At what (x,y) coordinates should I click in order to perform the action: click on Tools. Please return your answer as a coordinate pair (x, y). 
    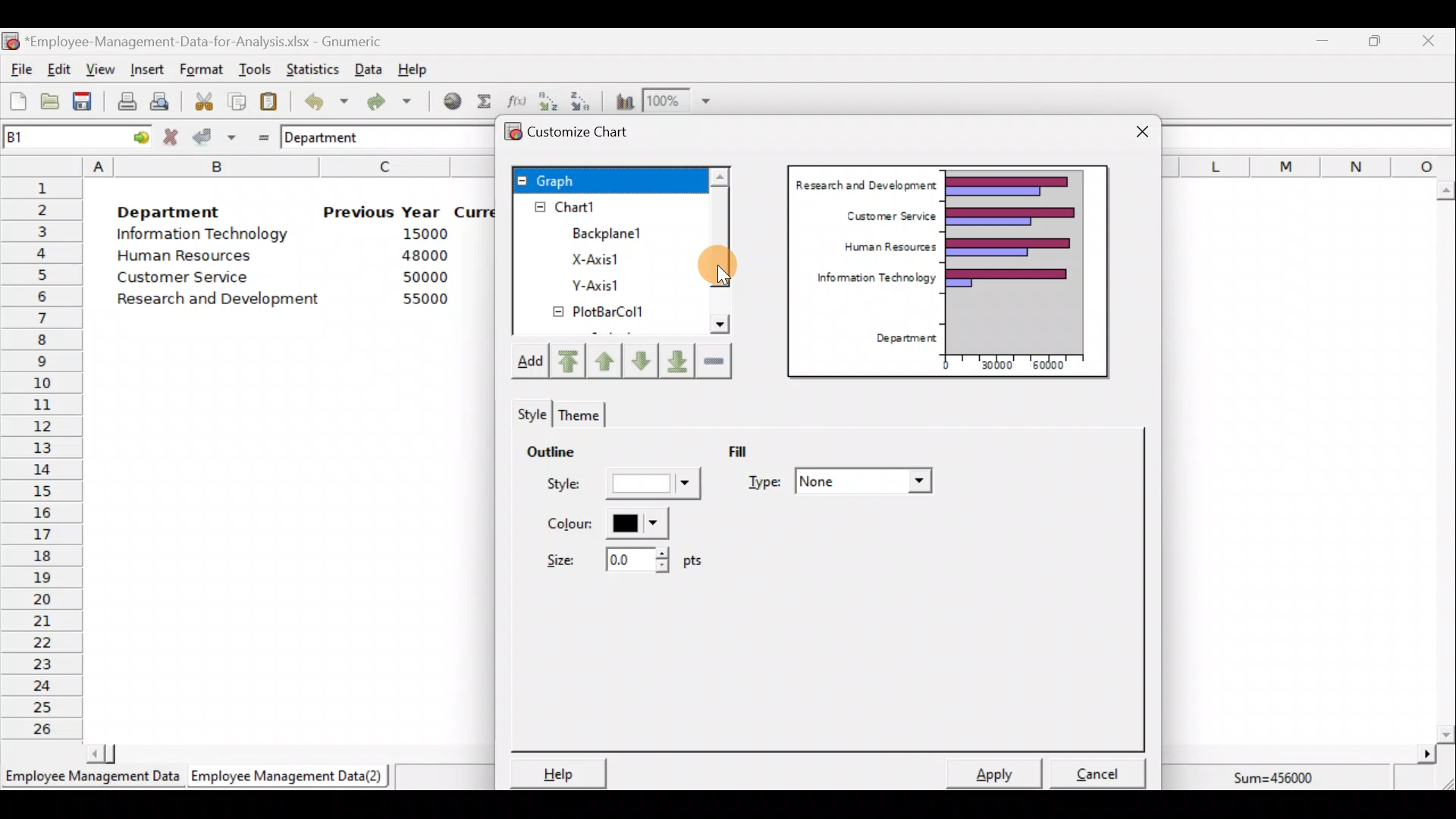
    Looking at the image, I should click on (254, 71).